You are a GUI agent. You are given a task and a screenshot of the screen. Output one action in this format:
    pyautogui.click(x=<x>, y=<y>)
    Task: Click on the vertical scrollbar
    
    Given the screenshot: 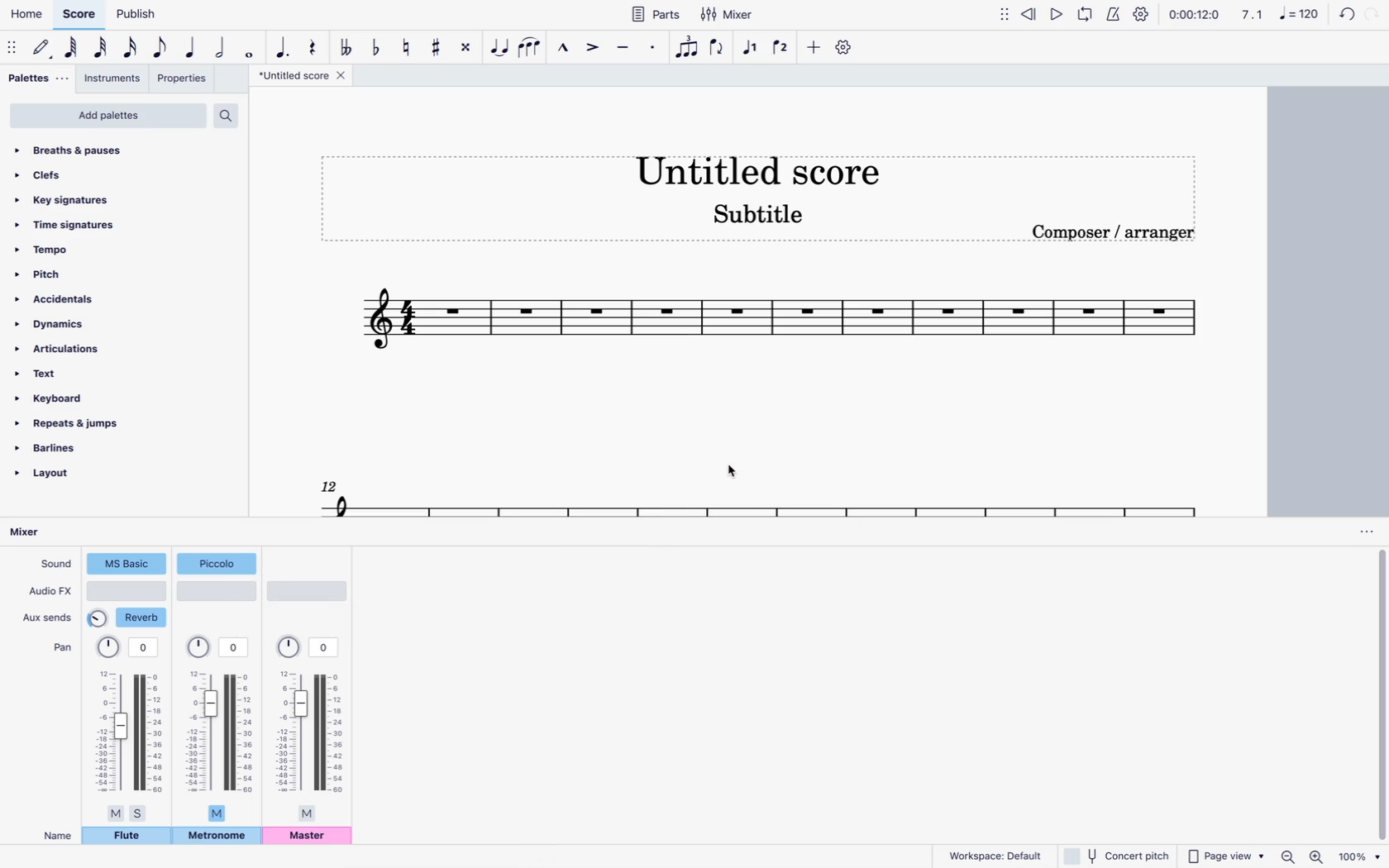 What is the action you would take?
    pyautogui.click(x=1378, y=696)
    